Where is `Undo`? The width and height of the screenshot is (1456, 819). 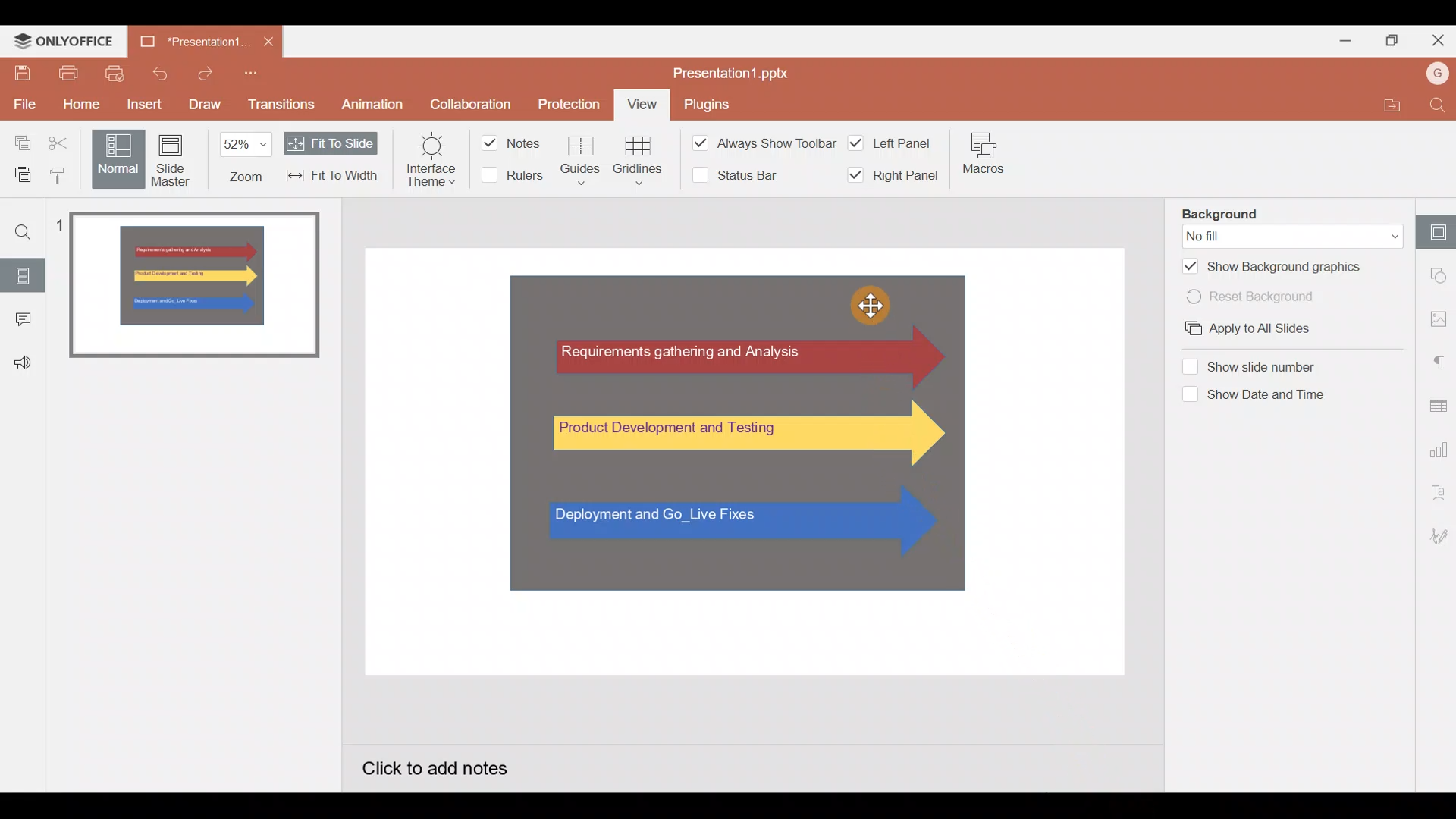 Undo is located at coordinates (162, 72).